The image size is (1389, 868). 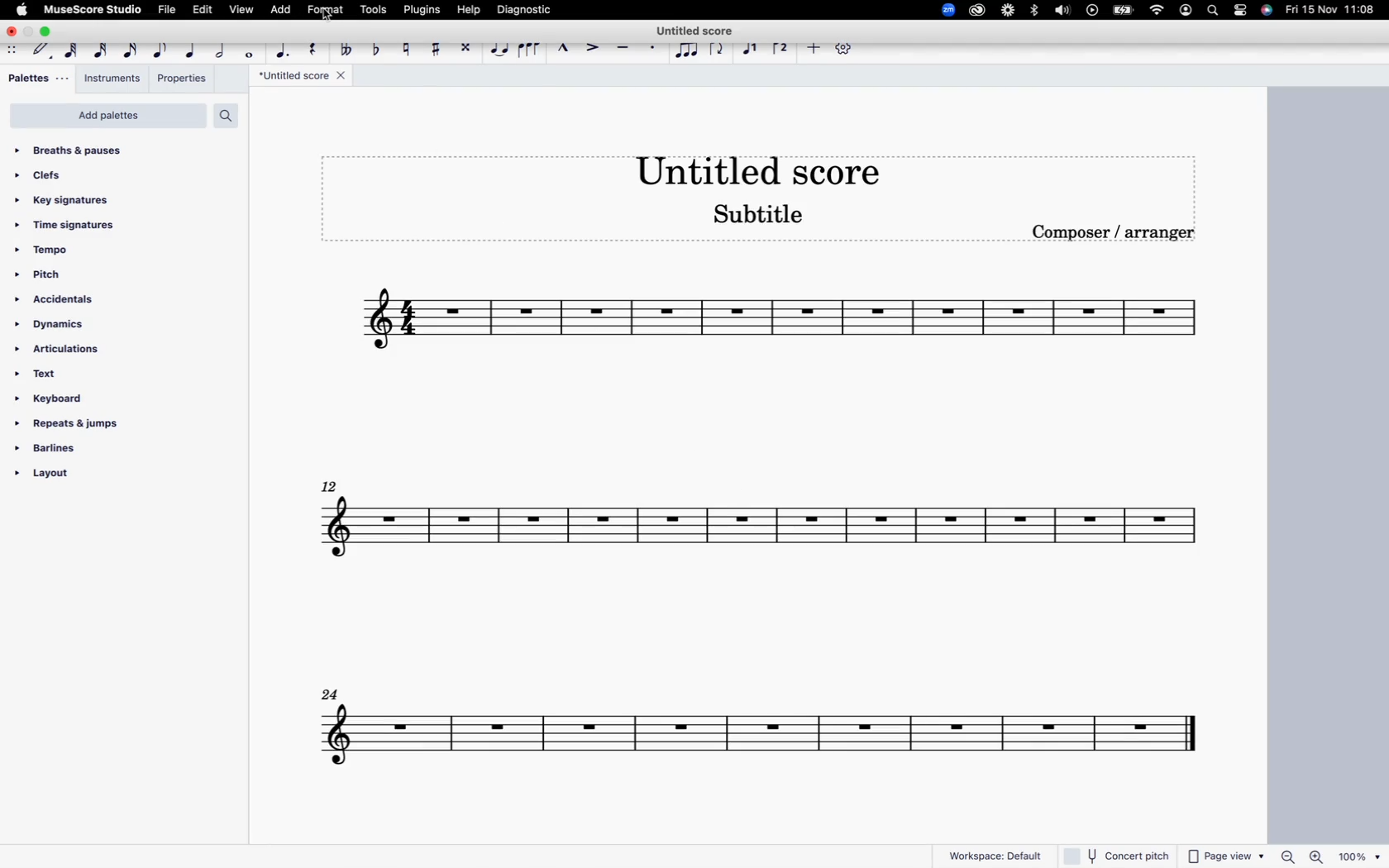 I want to click on voice 2, so click(x=783, y=48).